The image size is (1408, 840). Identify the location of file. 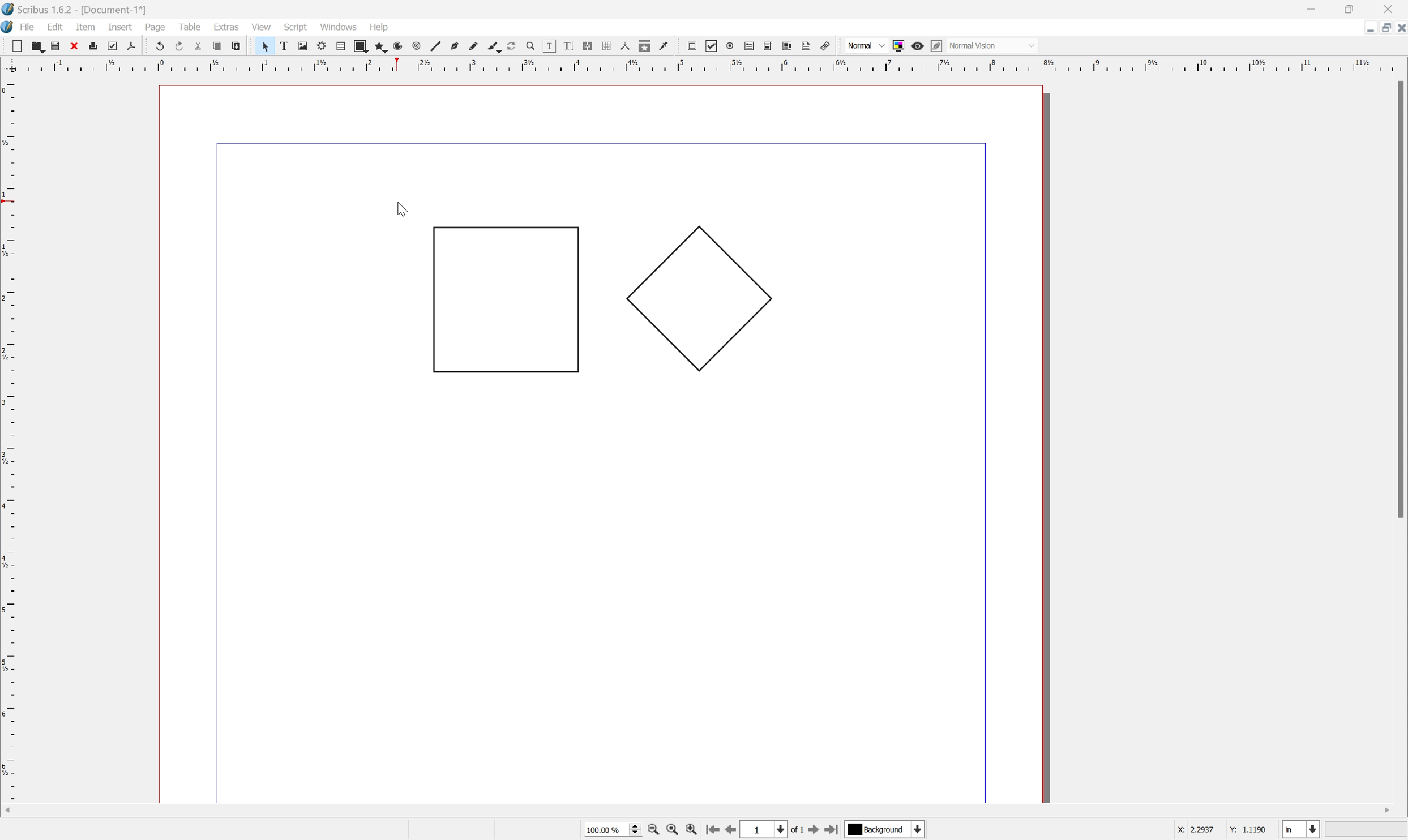
(29, 26).